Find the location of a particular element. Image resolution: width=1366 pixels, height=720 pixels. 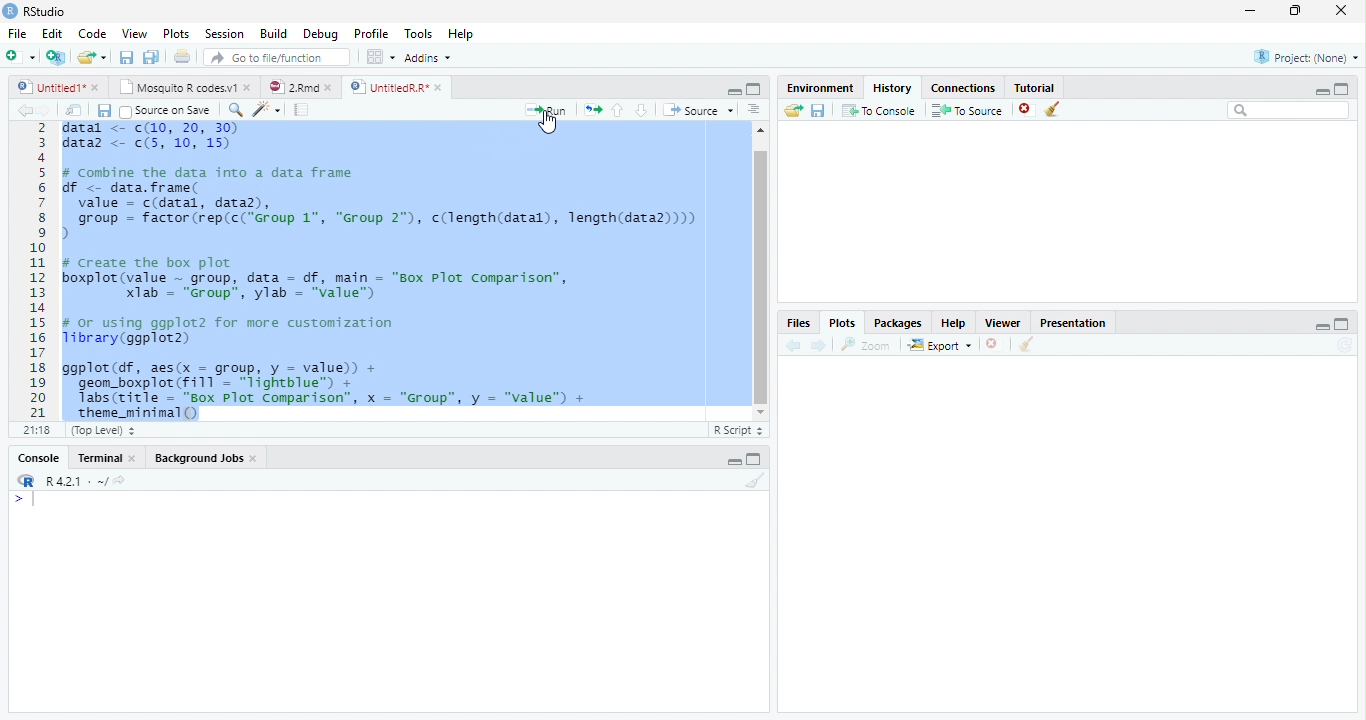

Remove the selected history entries is located at coordinates (1026, 109).